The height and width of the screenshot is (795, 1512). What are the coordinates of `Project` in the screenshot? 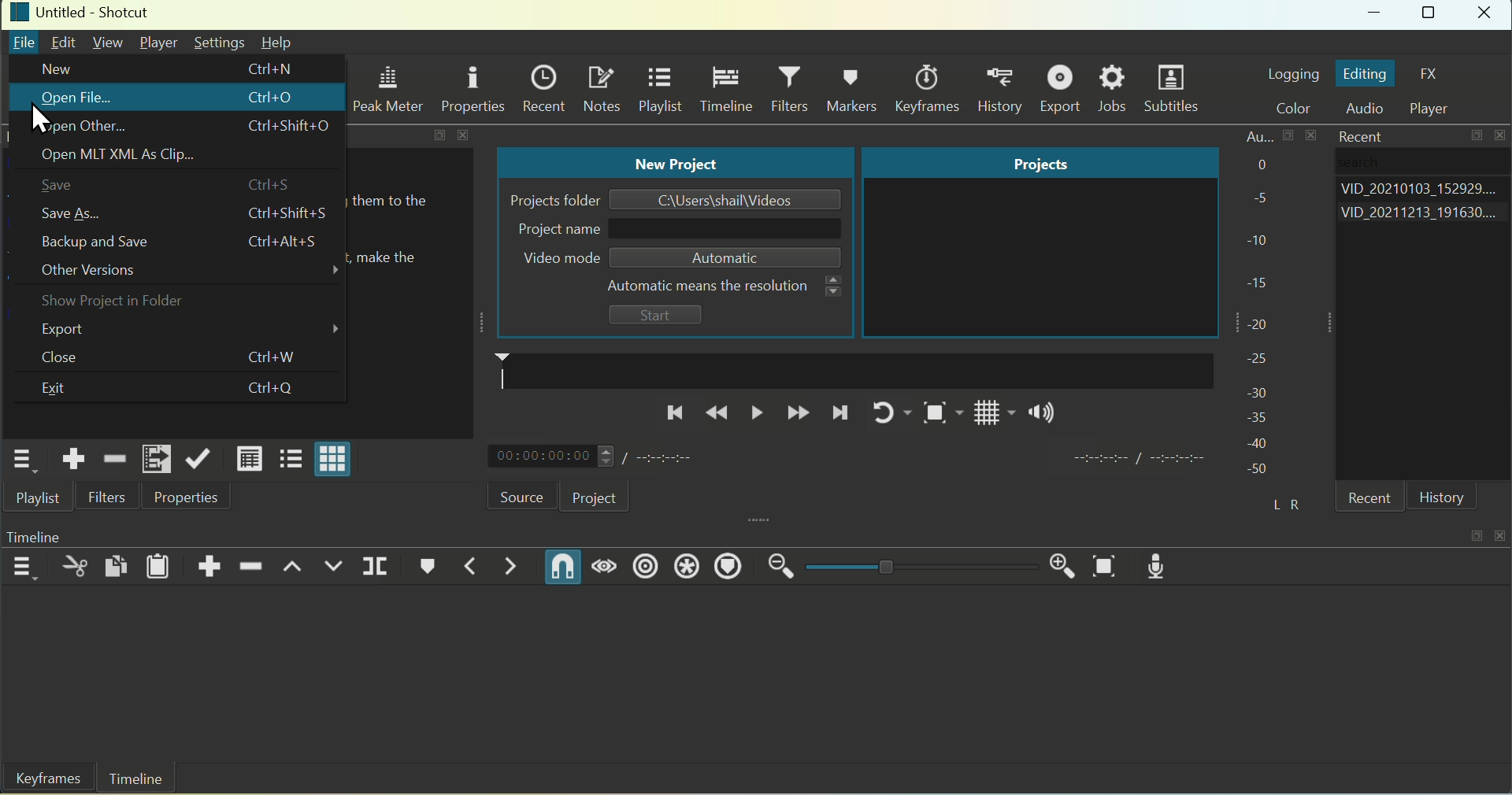 It's located at (594, 497).